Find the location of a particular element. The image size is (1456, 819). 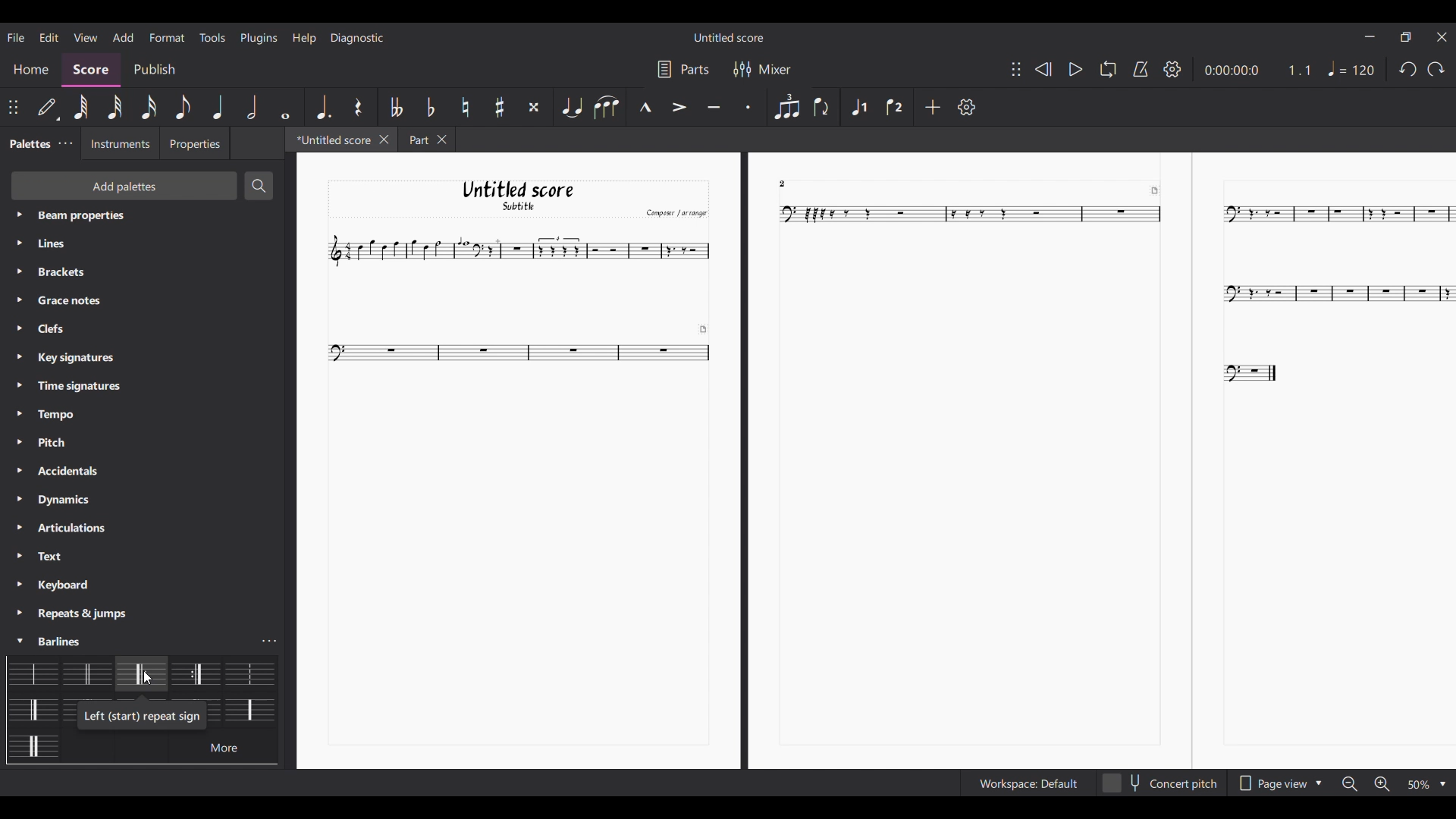

Flip direction is located at coordinates (822, 105).